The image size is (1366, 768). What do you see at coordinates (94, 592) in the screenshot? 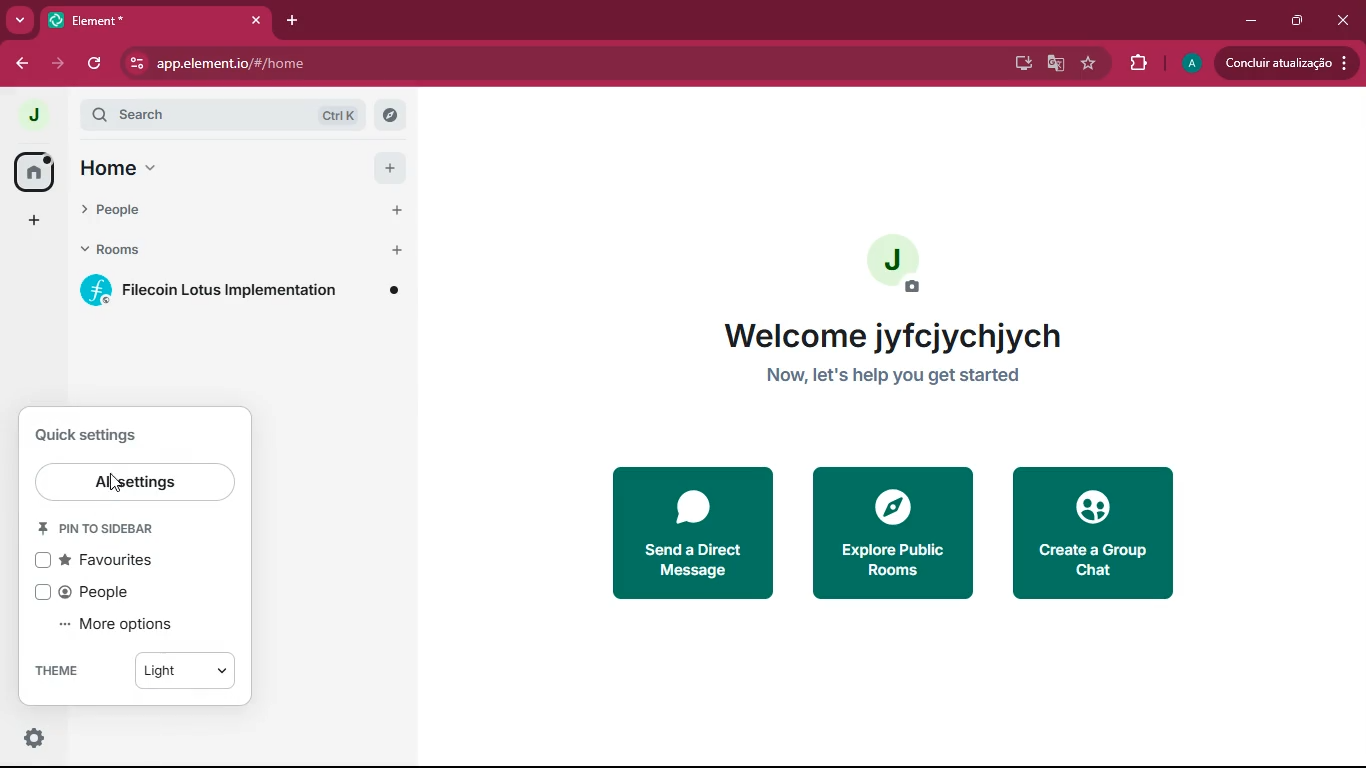
I see `people` at bounding box center [94, 592].